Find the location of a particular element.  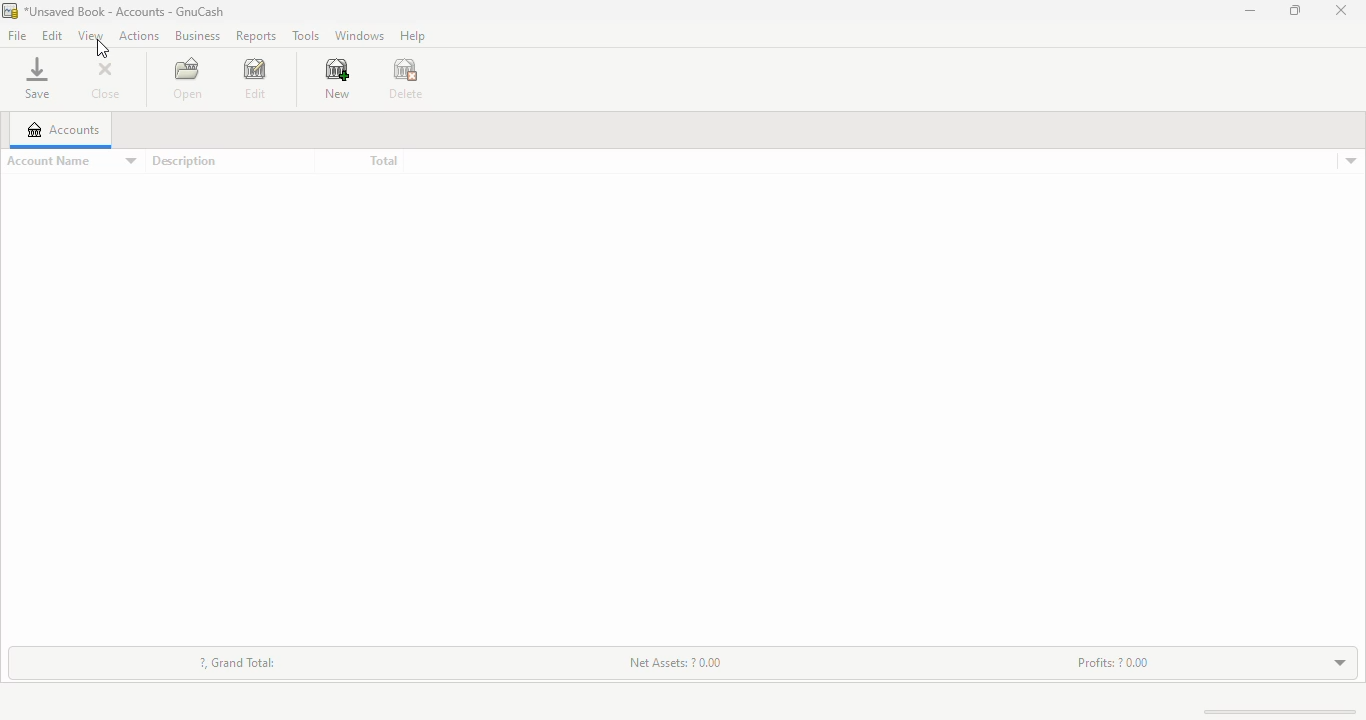

help is located at coordinates (412, 35).